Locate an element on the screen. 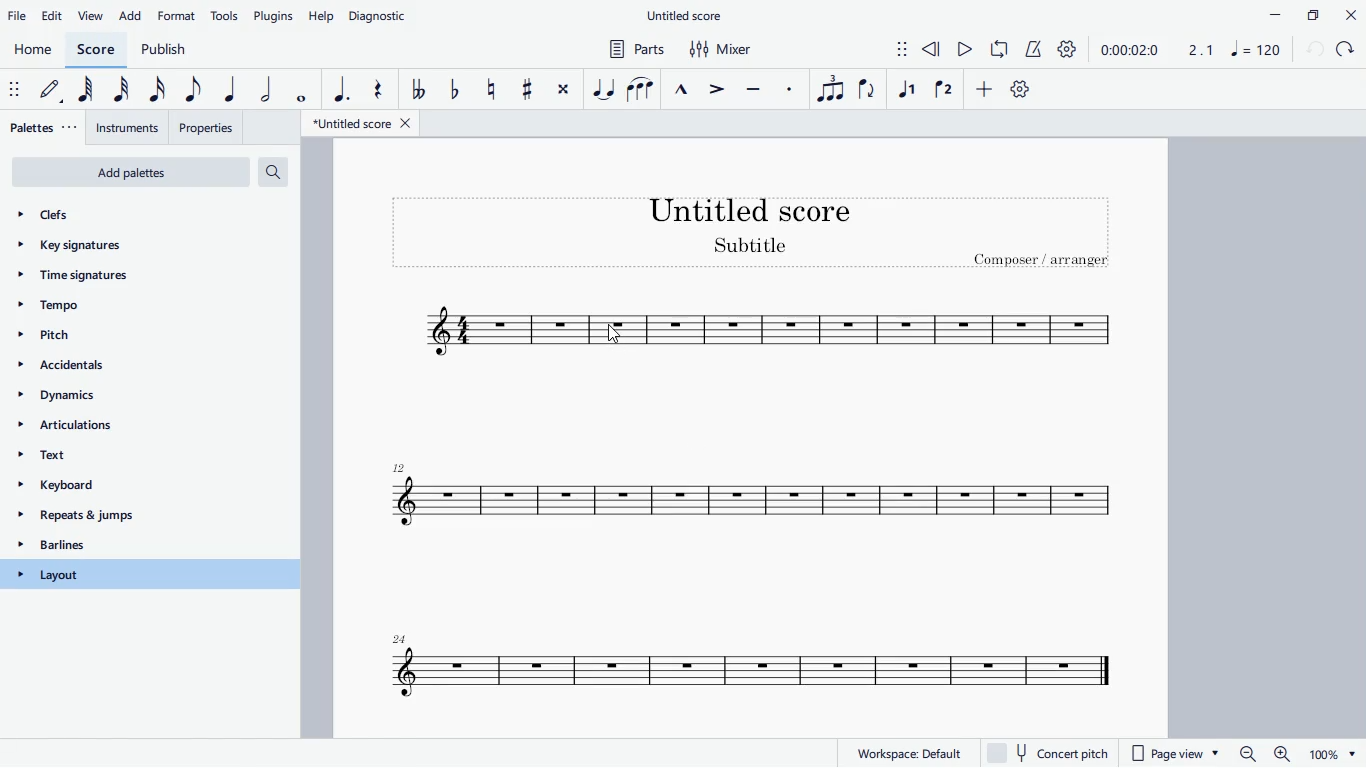 This screenshot has height=768, width=1366. marcato is located at coordinates (685, 87).